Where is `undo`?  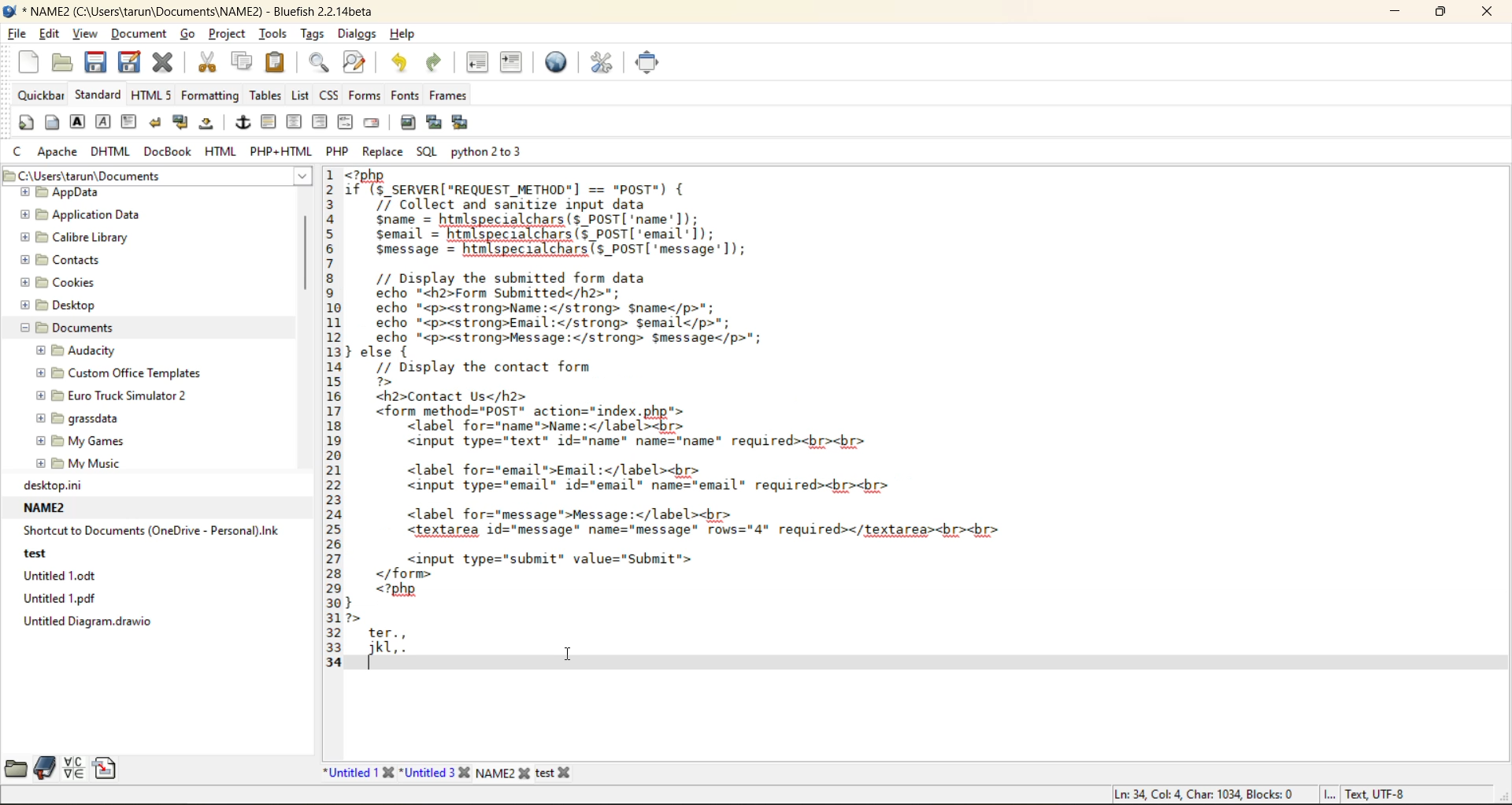 undo is located at coordinates (402, 63).